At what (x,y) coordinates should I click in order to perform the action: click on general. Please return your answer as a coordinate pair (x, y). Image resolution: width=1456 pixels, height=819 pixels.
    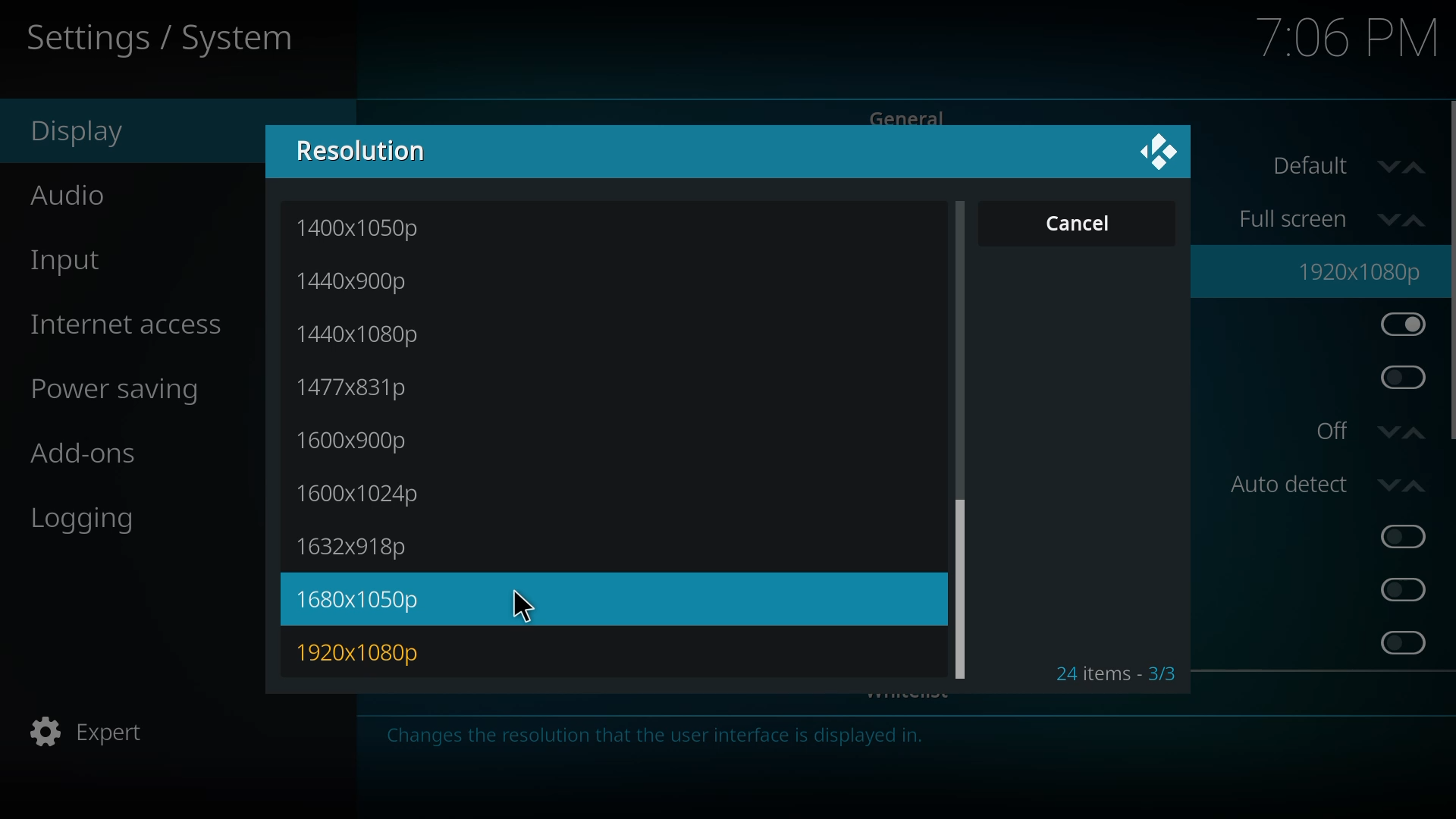
    Looking at the image, I should click on (908, 118).